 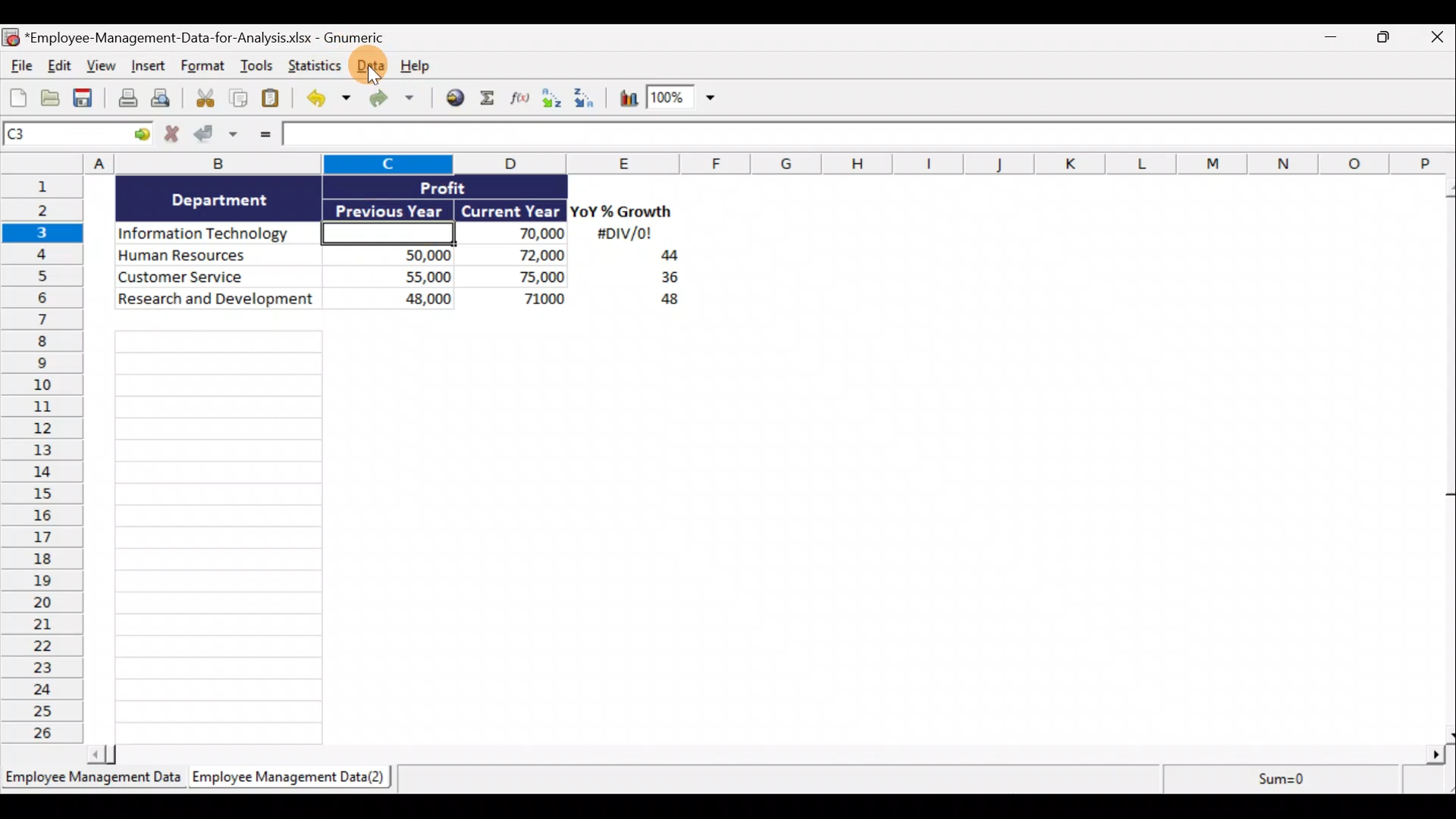 I want to click on Cell C3, so click(x=384, y=231).